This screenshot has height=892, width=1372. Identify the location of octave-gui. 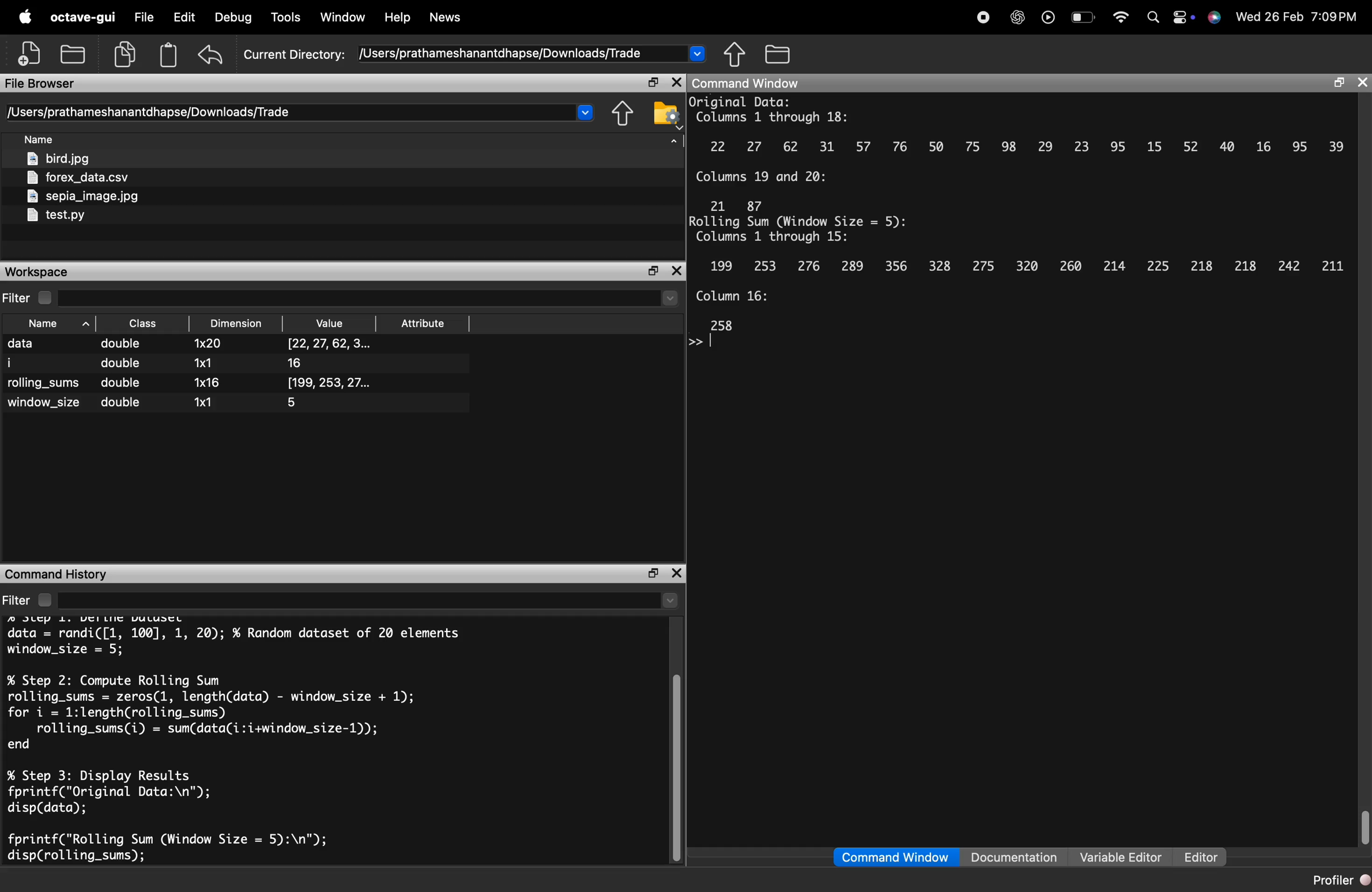
(85, 18).